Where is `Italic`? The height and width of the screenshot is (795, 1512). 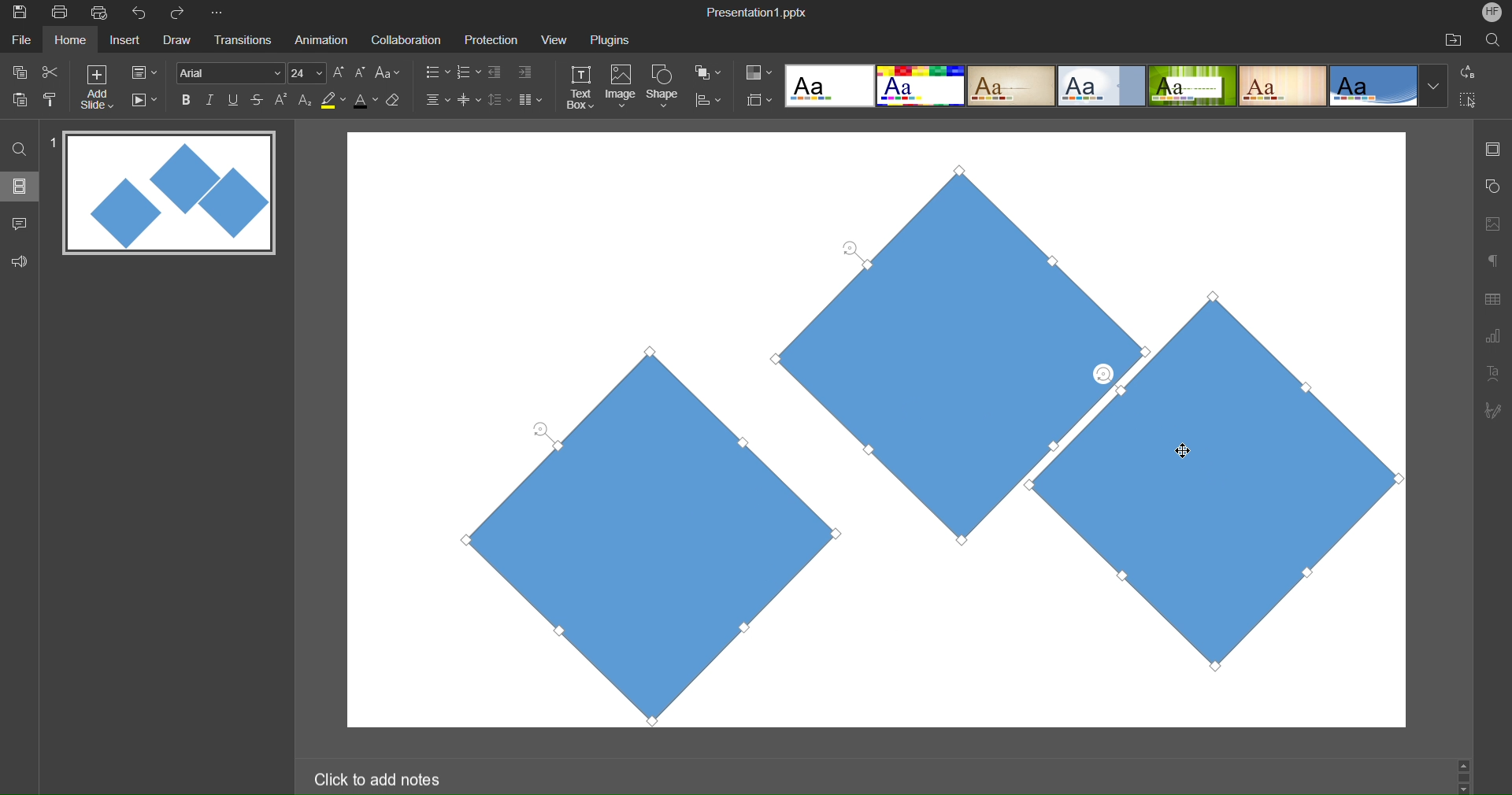
Italic is located at coordinates (209, 100).